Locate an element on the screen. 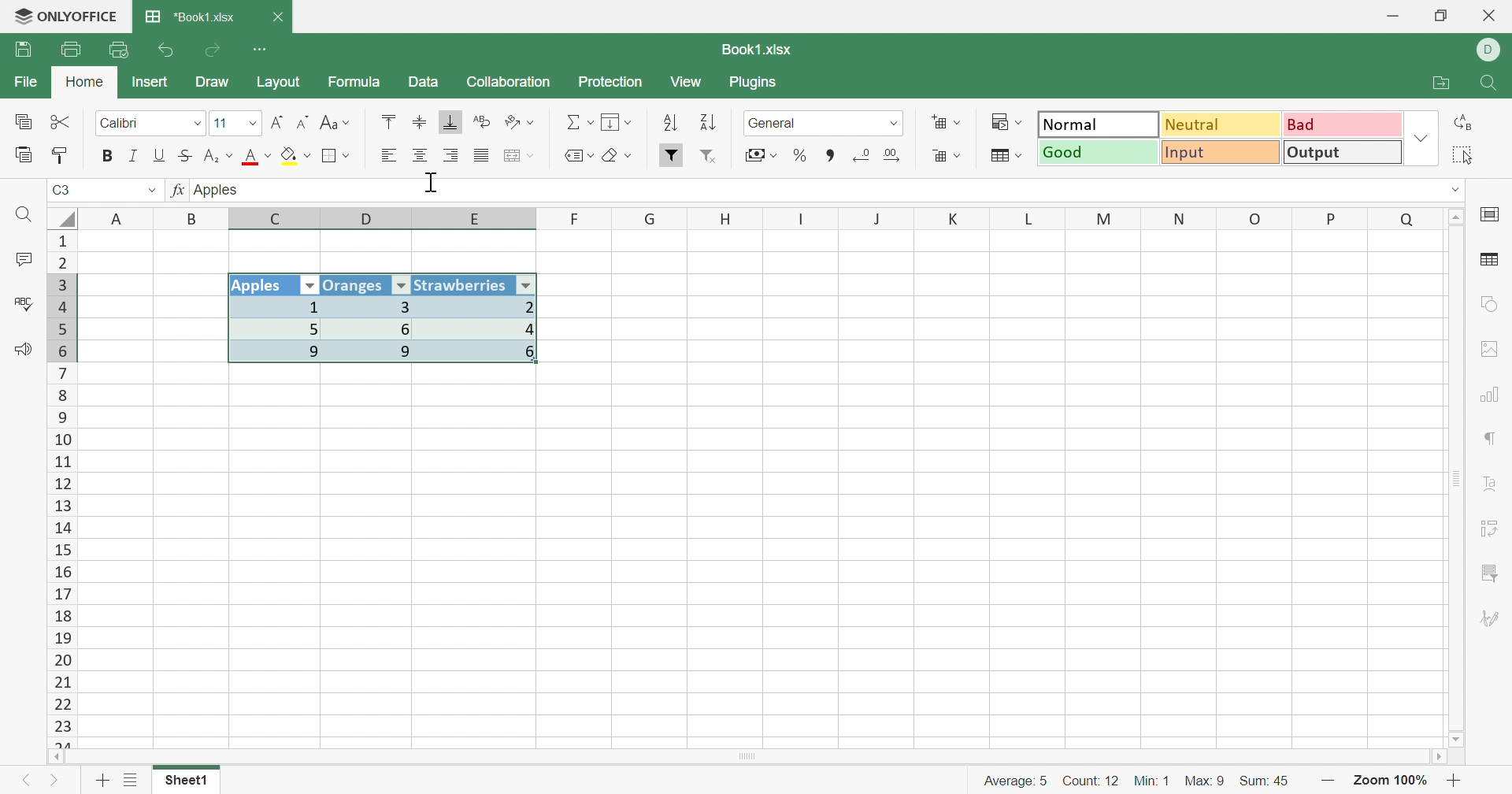 Image resolution: width=1512 pixels, height=794 pixels. Bold is located at coordinates (108, 155).